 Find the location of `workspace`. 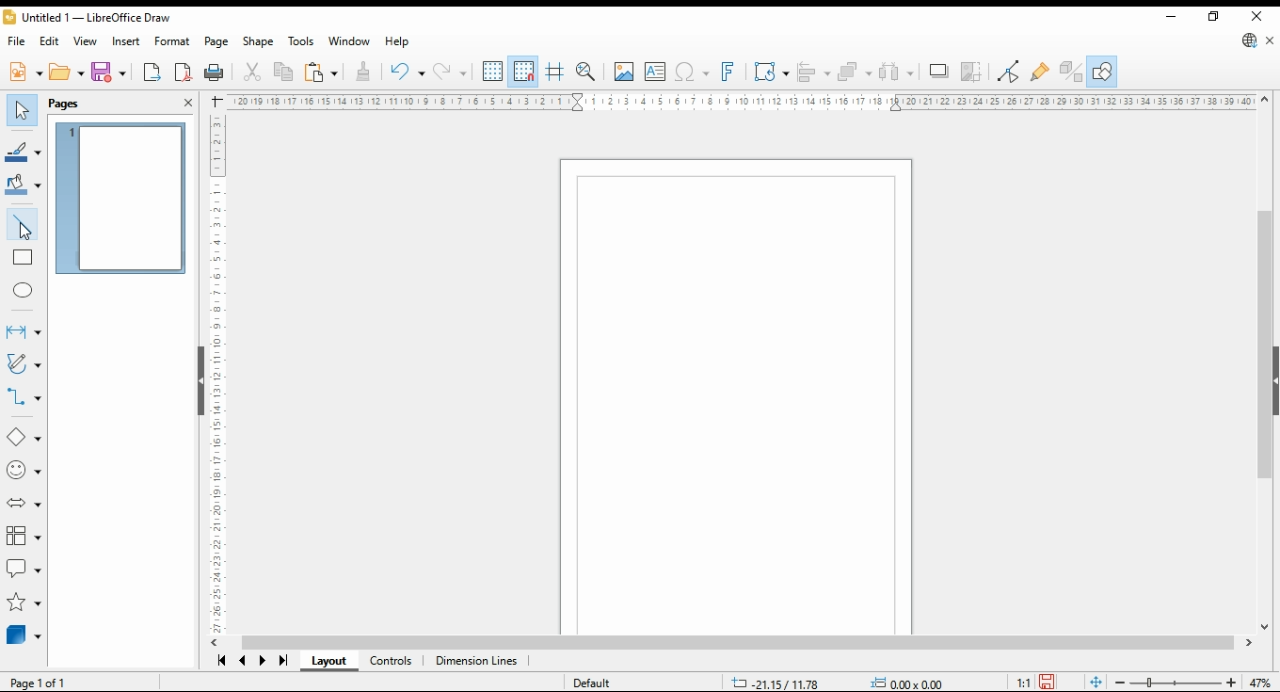

workspace is located at coordinates (734, 394).